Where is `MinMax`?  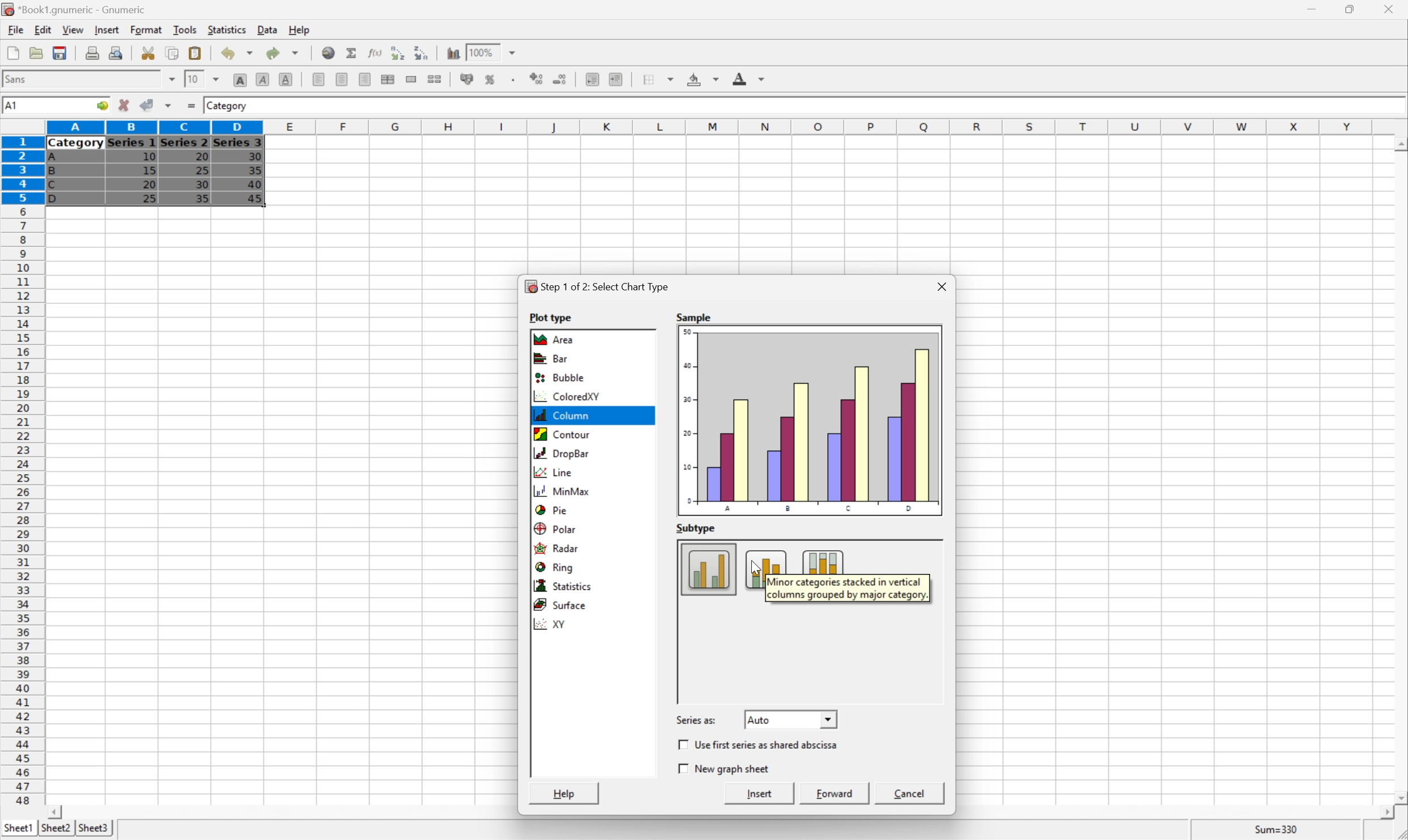
MinMax is located at coordinates (565, 491).